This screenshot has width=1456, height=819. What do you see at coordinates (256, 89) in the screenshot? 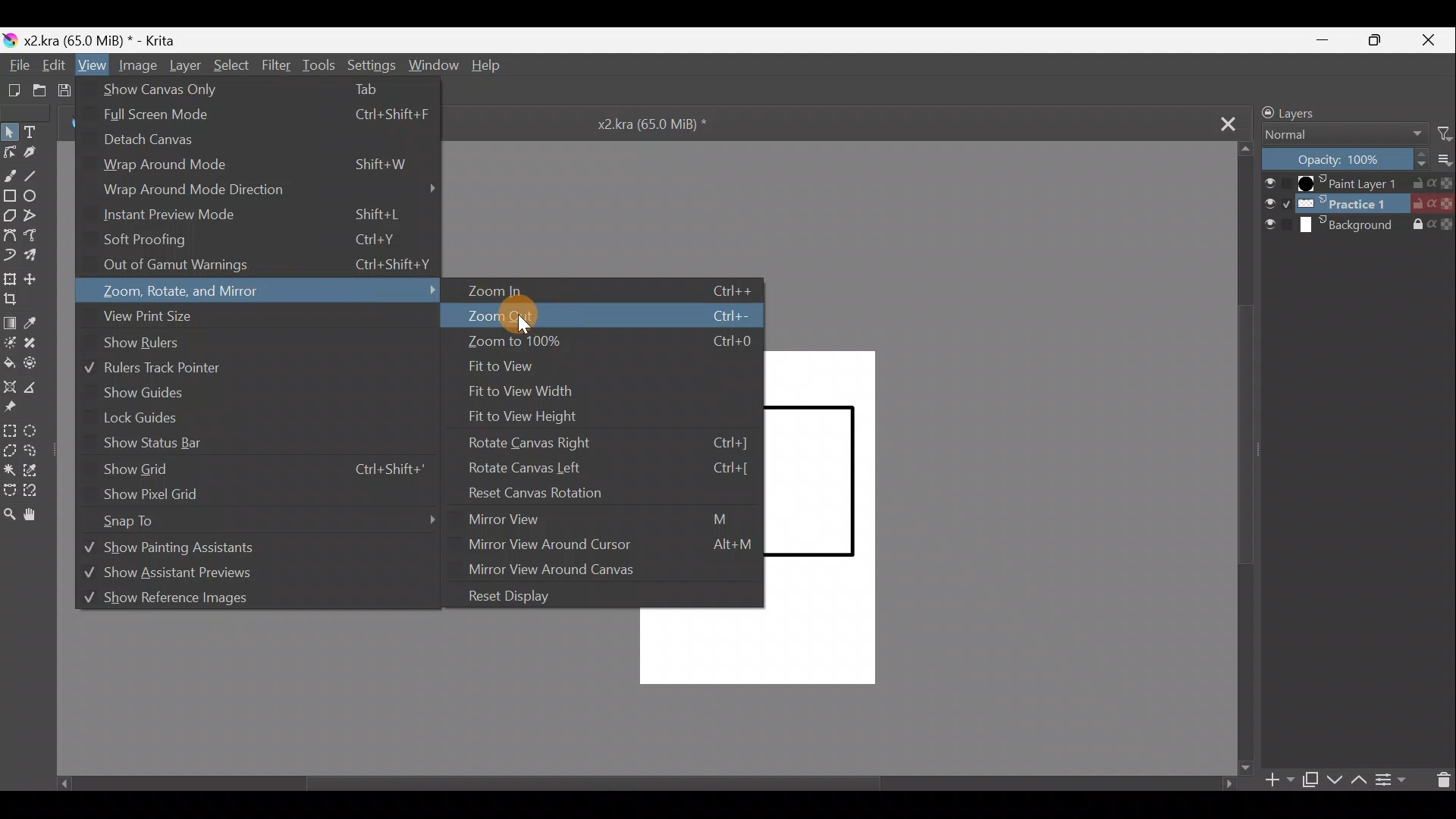
I see `Show canvas only` at bounding box center [256, 89].